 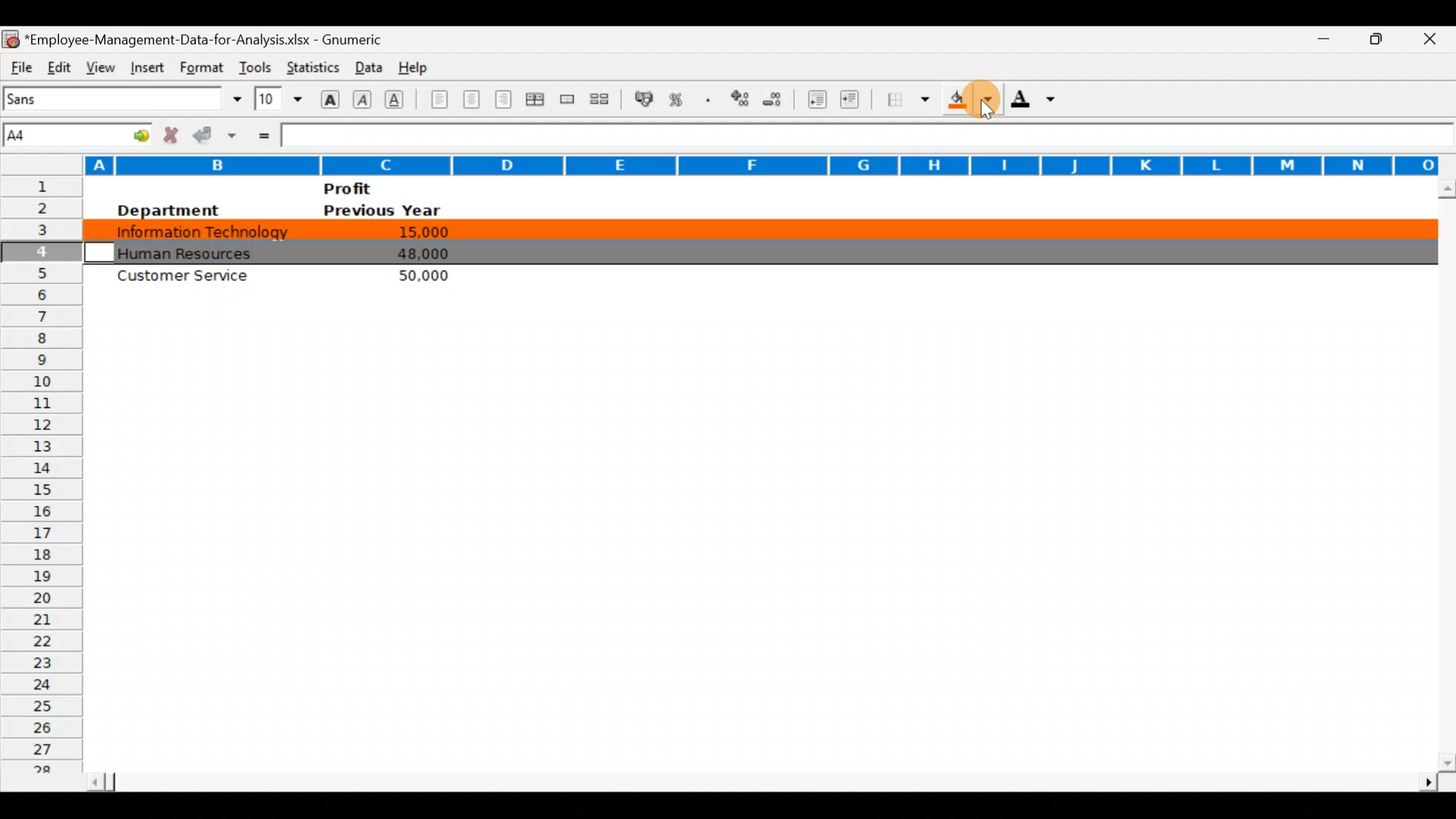 What do you see at coordinates (79, 131) in the screenshot?
I see `Cell name` at bounding box center [79, 131].